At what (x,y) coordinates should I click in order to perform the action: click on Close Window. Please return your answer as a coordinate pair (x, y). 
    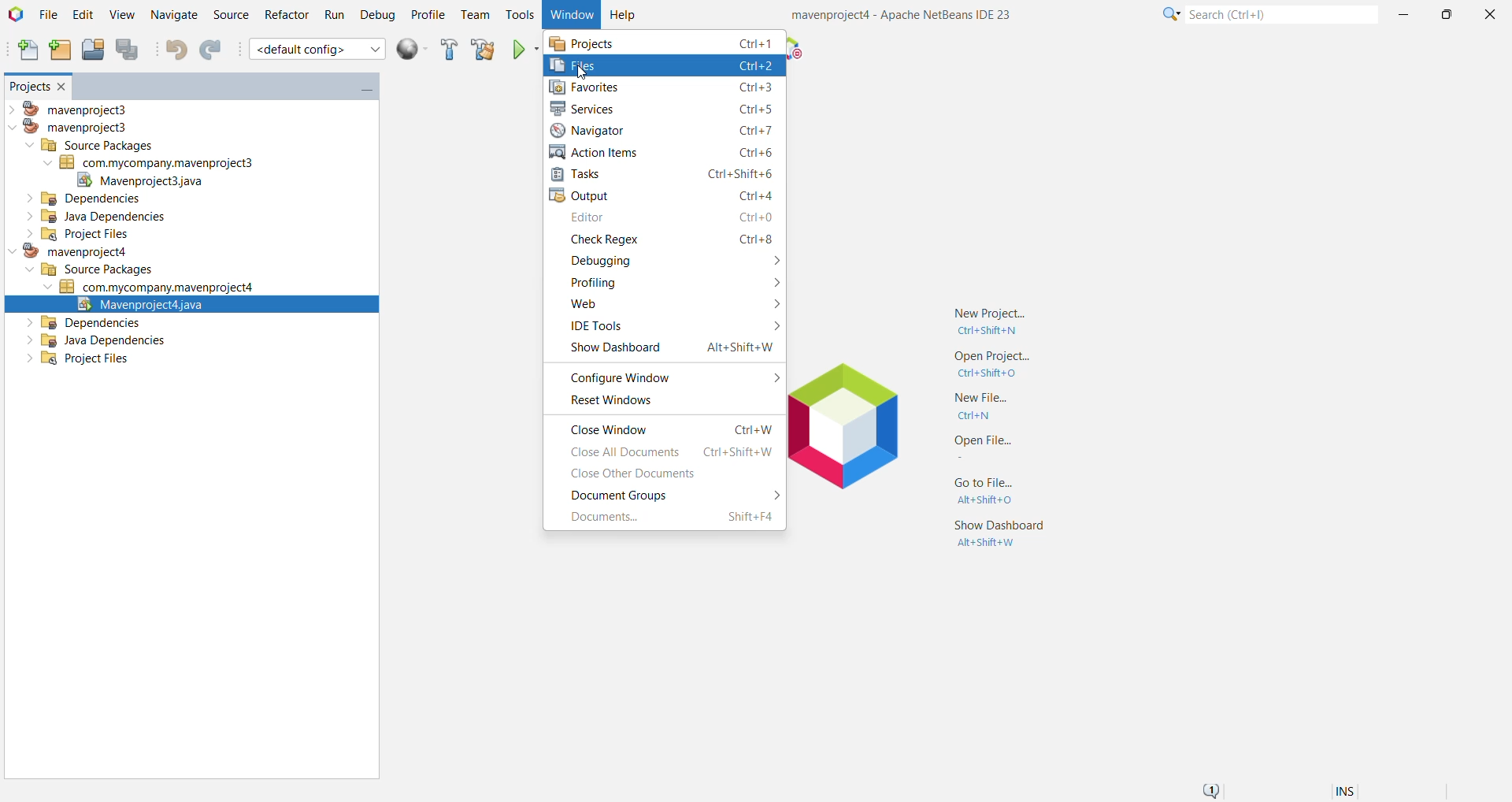
    Looking at the image, I should click on (63, 86).